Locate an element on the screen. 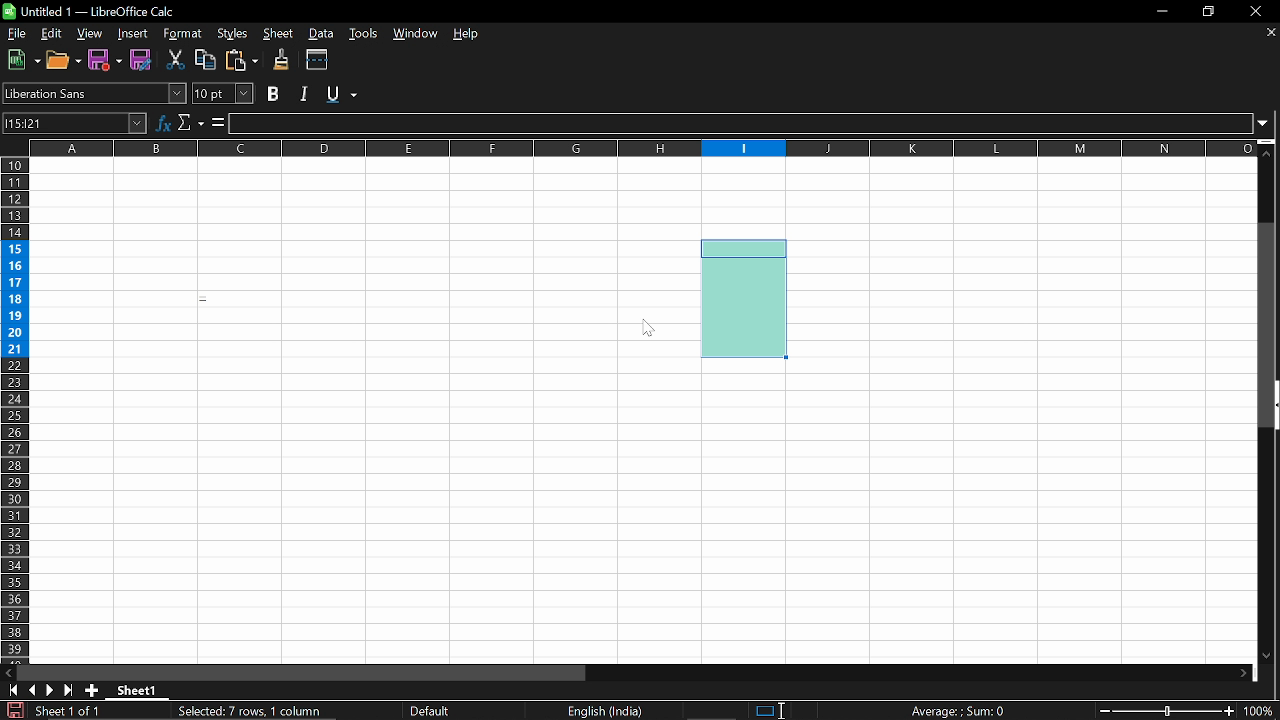 Image resolution: width=1280 pixels, height=720 pixels. Current sheet is located at coordinates (67, 712).